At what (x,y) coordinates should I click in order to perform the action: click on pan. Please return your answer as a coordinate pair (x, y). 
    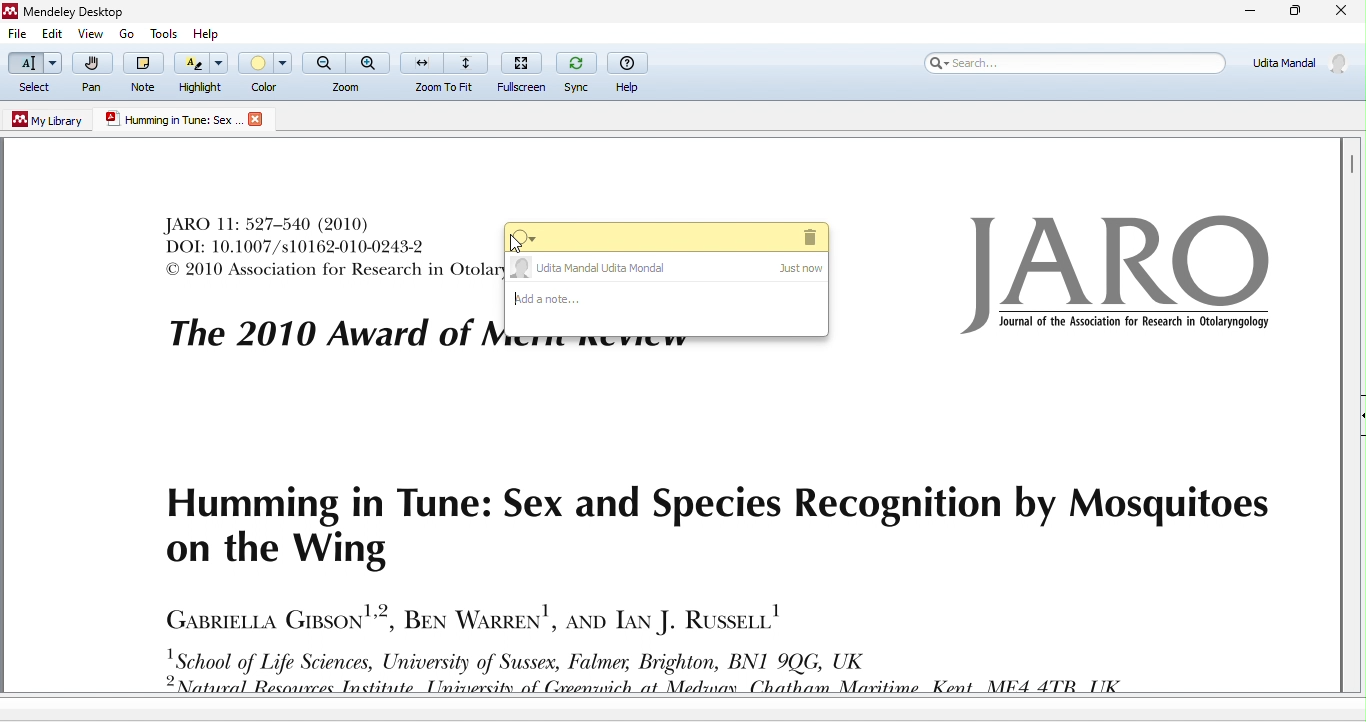
    Looking at the image, I should click on (97, 74).